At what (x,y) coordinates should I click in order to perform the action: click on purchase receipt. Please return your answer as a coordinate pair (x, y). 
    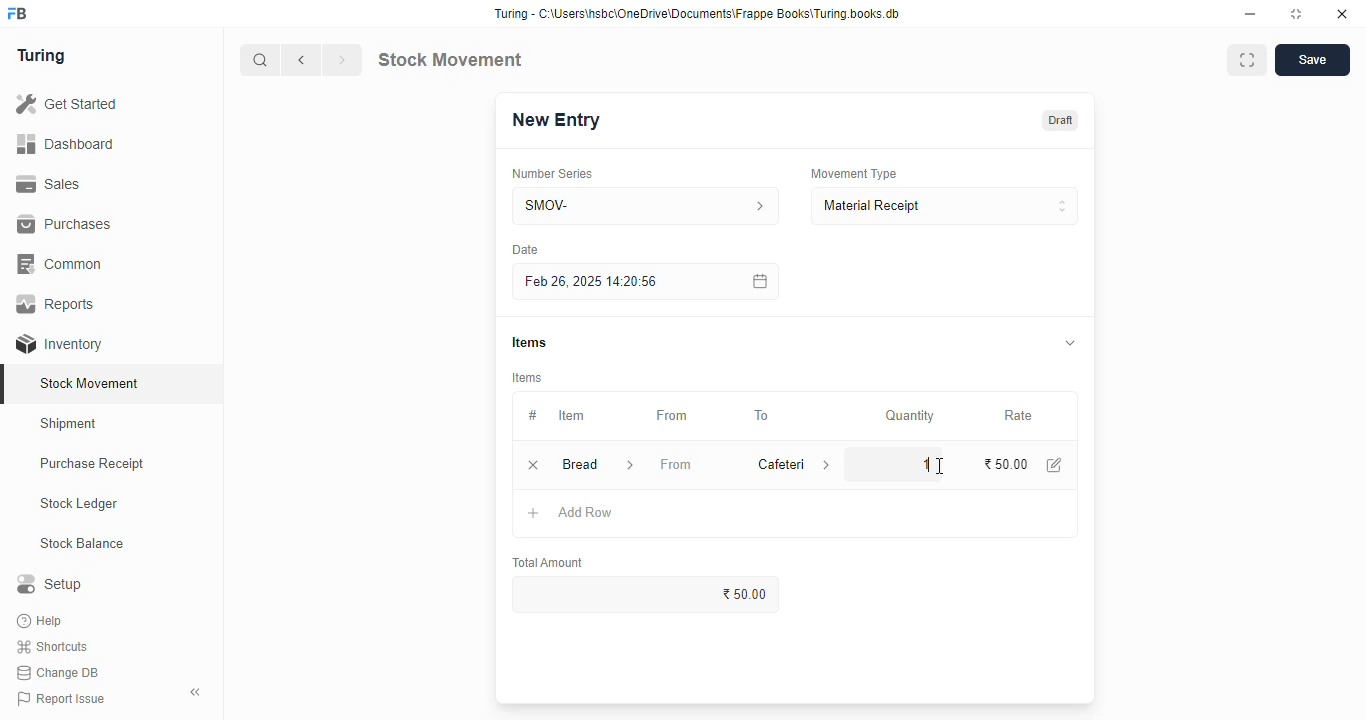
    Looking at the image, I should click on (92, 463).